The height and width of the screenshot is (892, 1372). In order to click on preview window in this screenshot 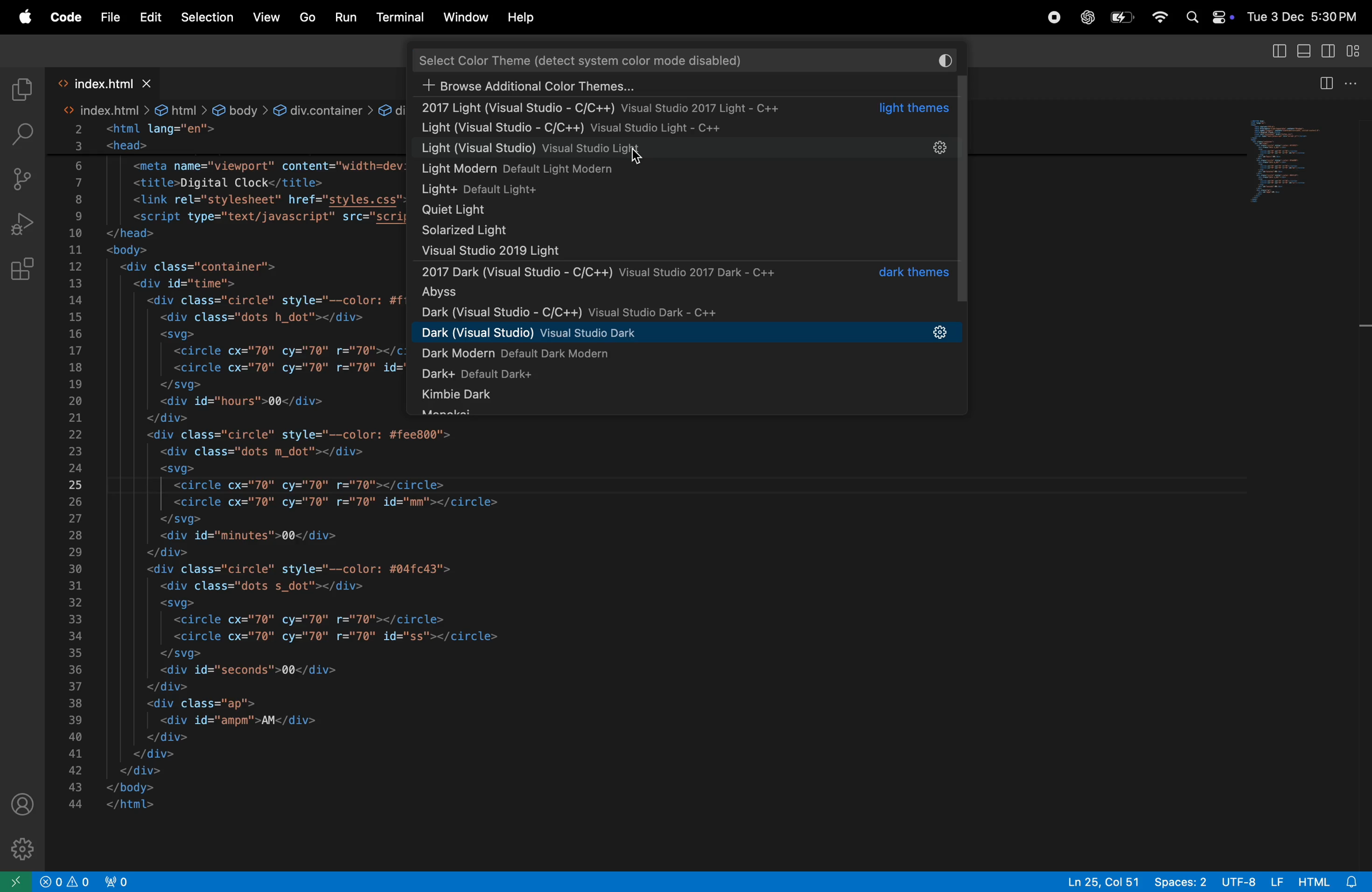, I will do `click(1289, 158)`.